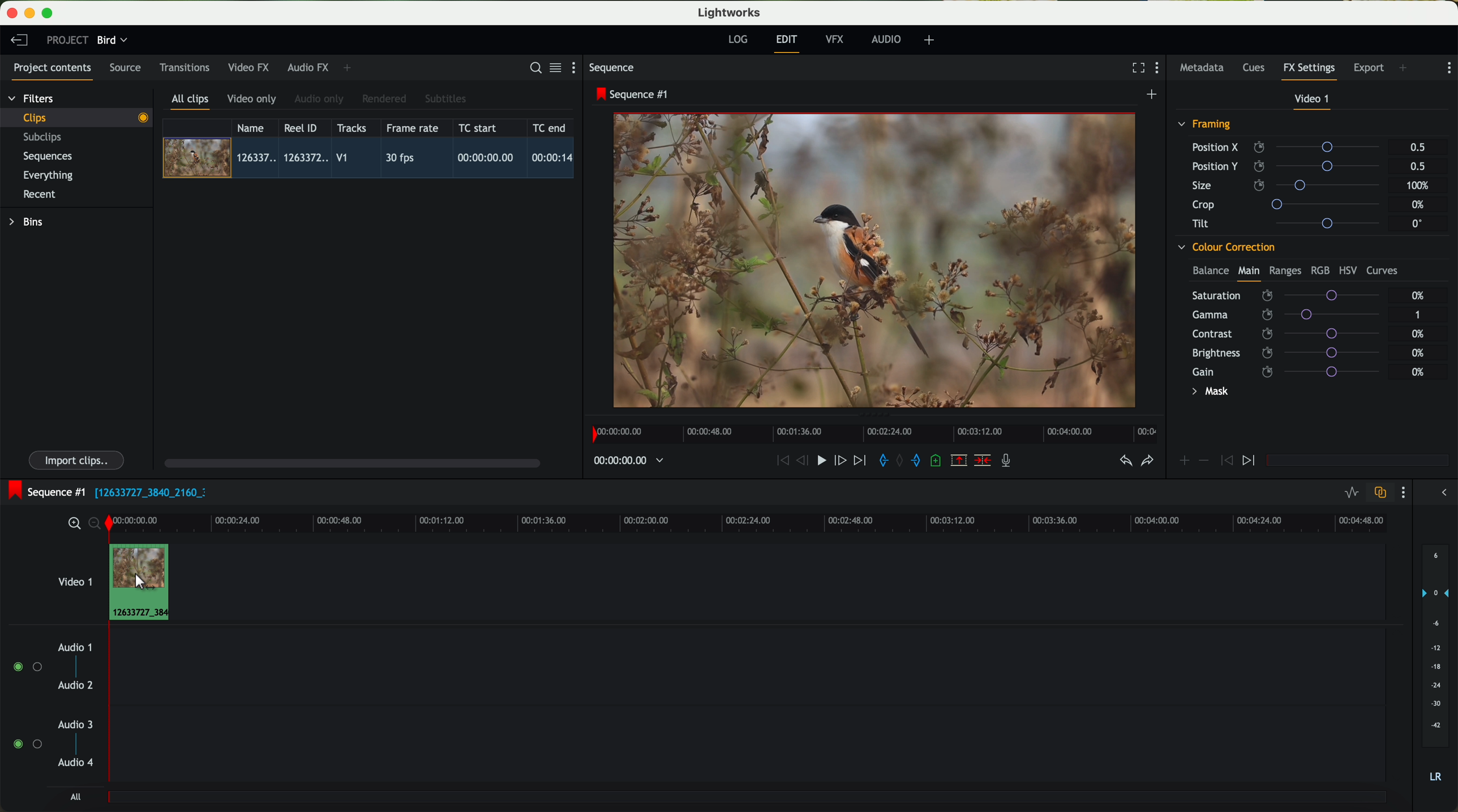 The height and width of the screenshot is (812, 1458). What do you see at coordinates (1125, 461) in the screenshot?
I see `undo` at bounding box center [1125, 461].